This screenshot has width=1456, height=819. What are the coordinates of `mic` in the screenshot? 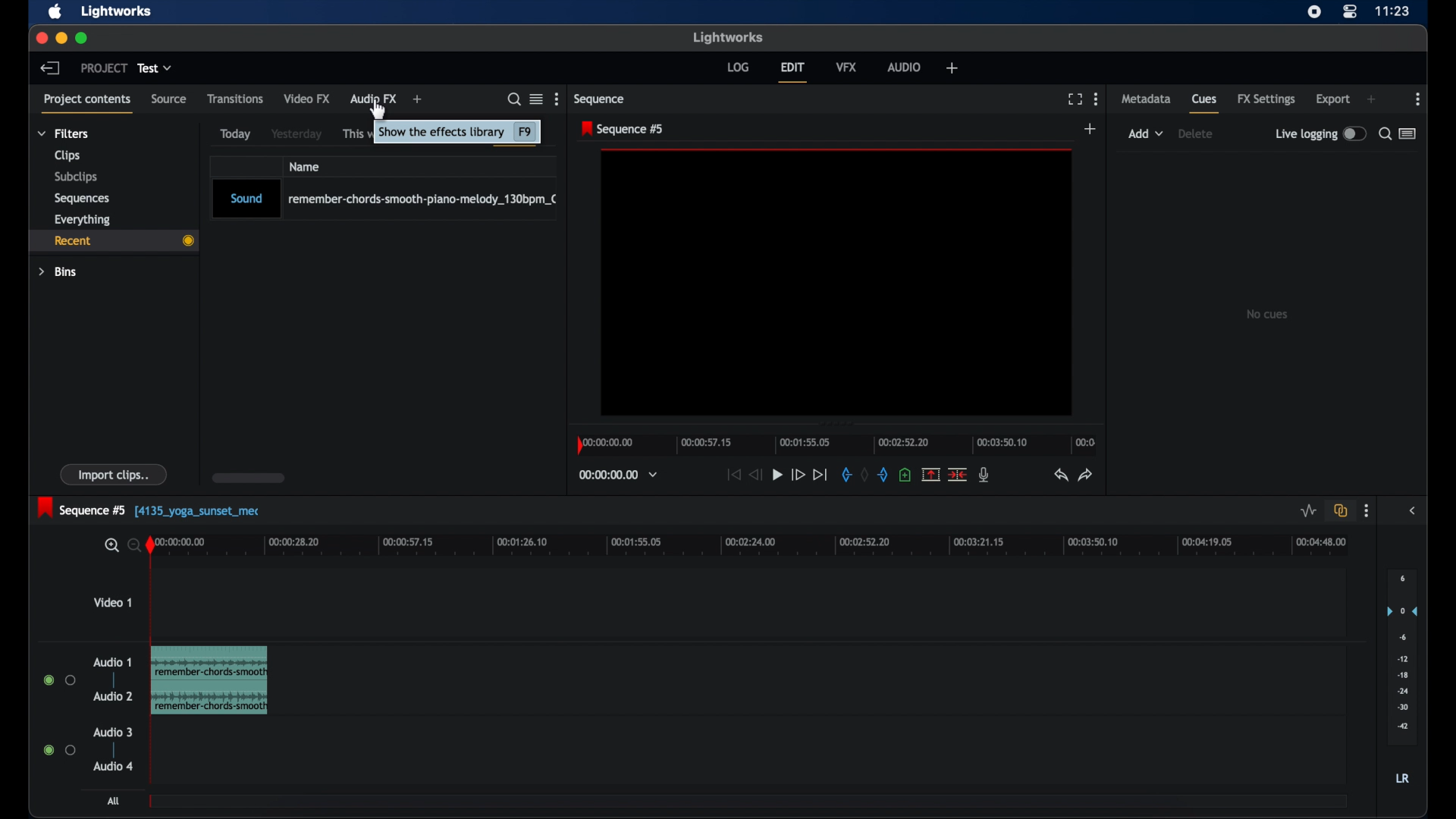 It's located at (984, 475).